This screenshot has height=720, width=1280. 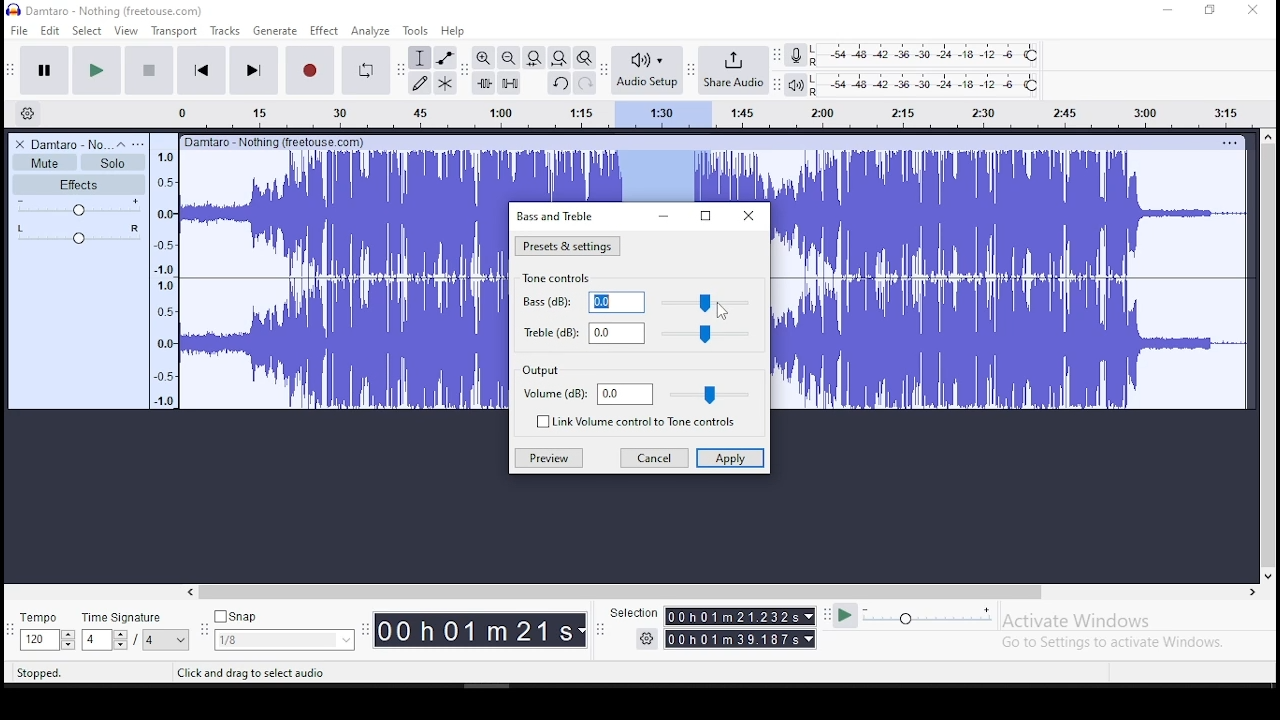 What do you see at coordinates (79, 234) in the screenshot?
I see `pan` at bounding box center [79, 234].